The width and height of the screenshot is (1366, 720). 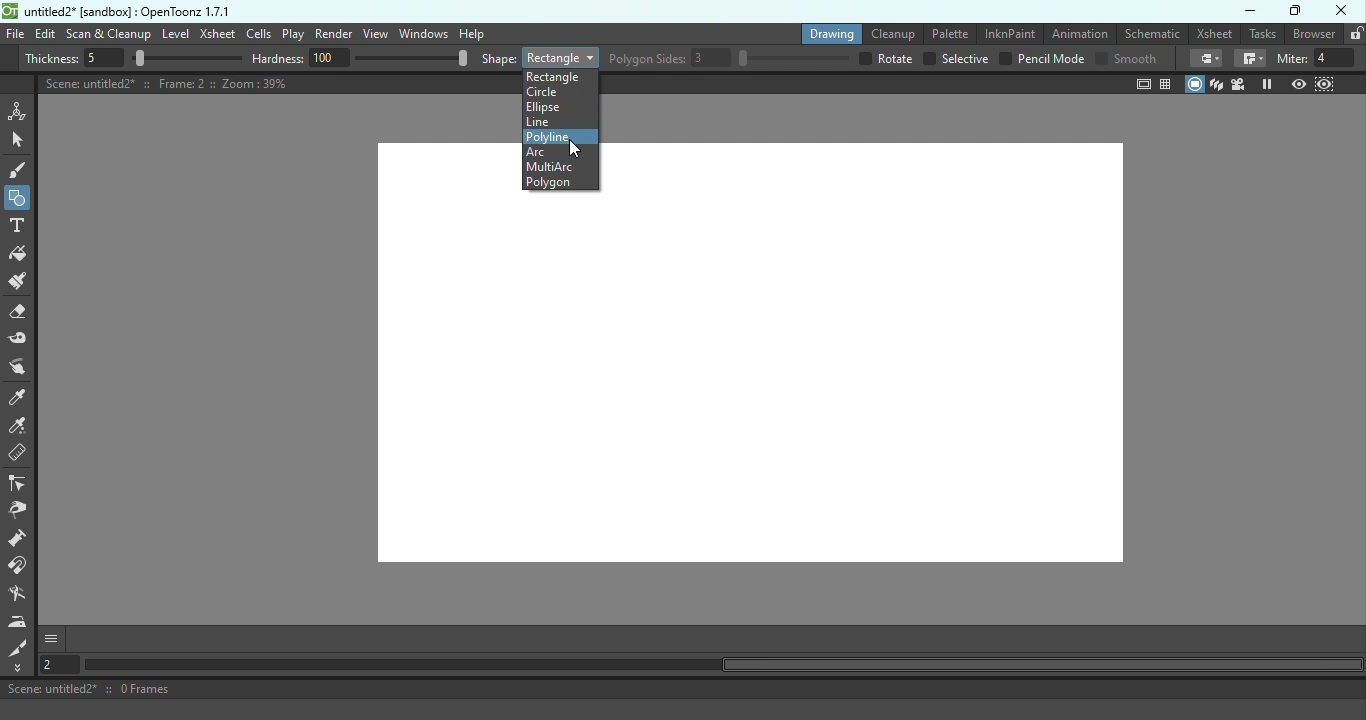 What do you see at coordinates (548, 166) in the screenshot?
I see `MultiArc` at bounding box center [548, 166].